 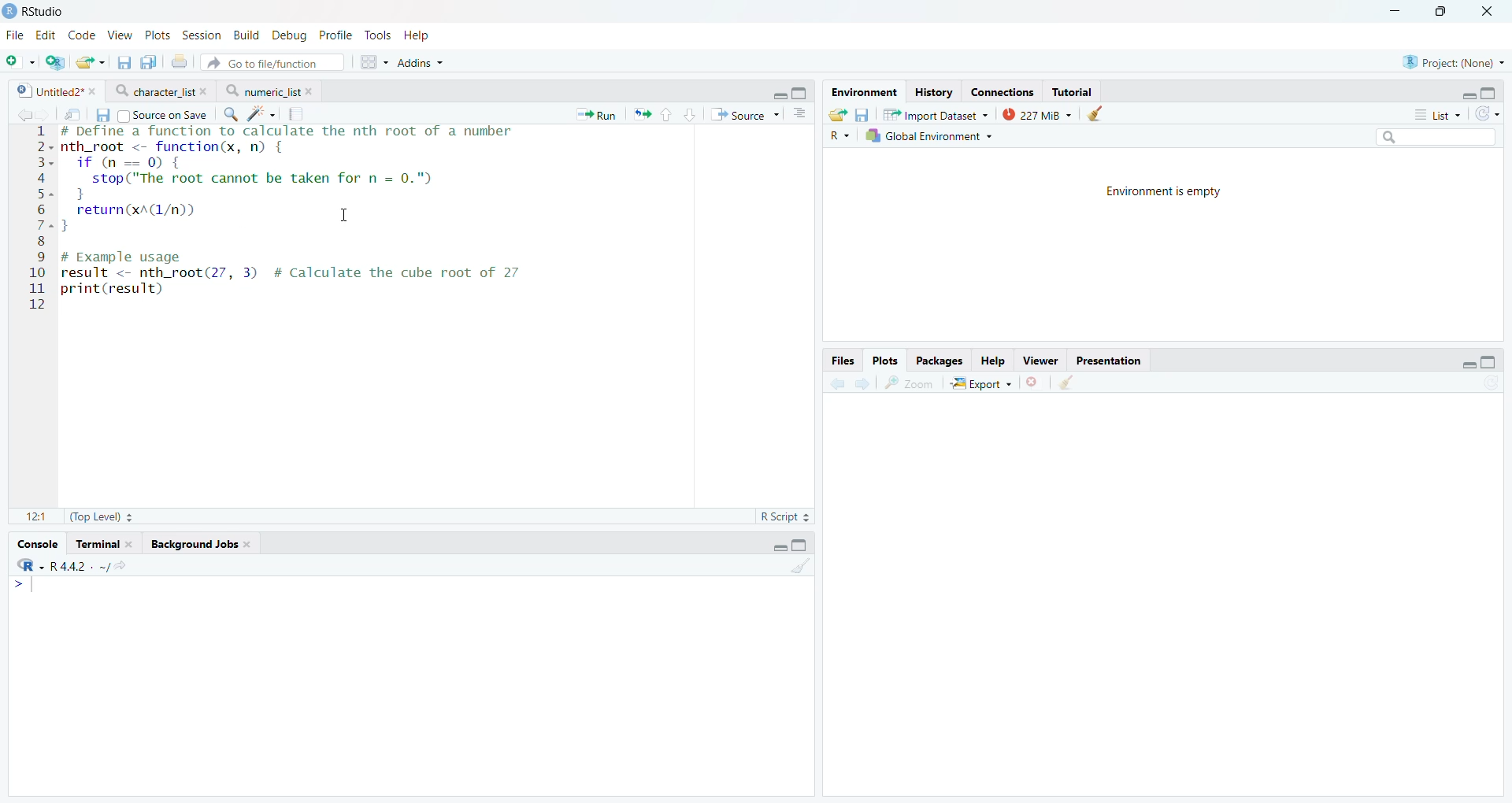 I want to click on Open new project, so click(x=54, y=62).